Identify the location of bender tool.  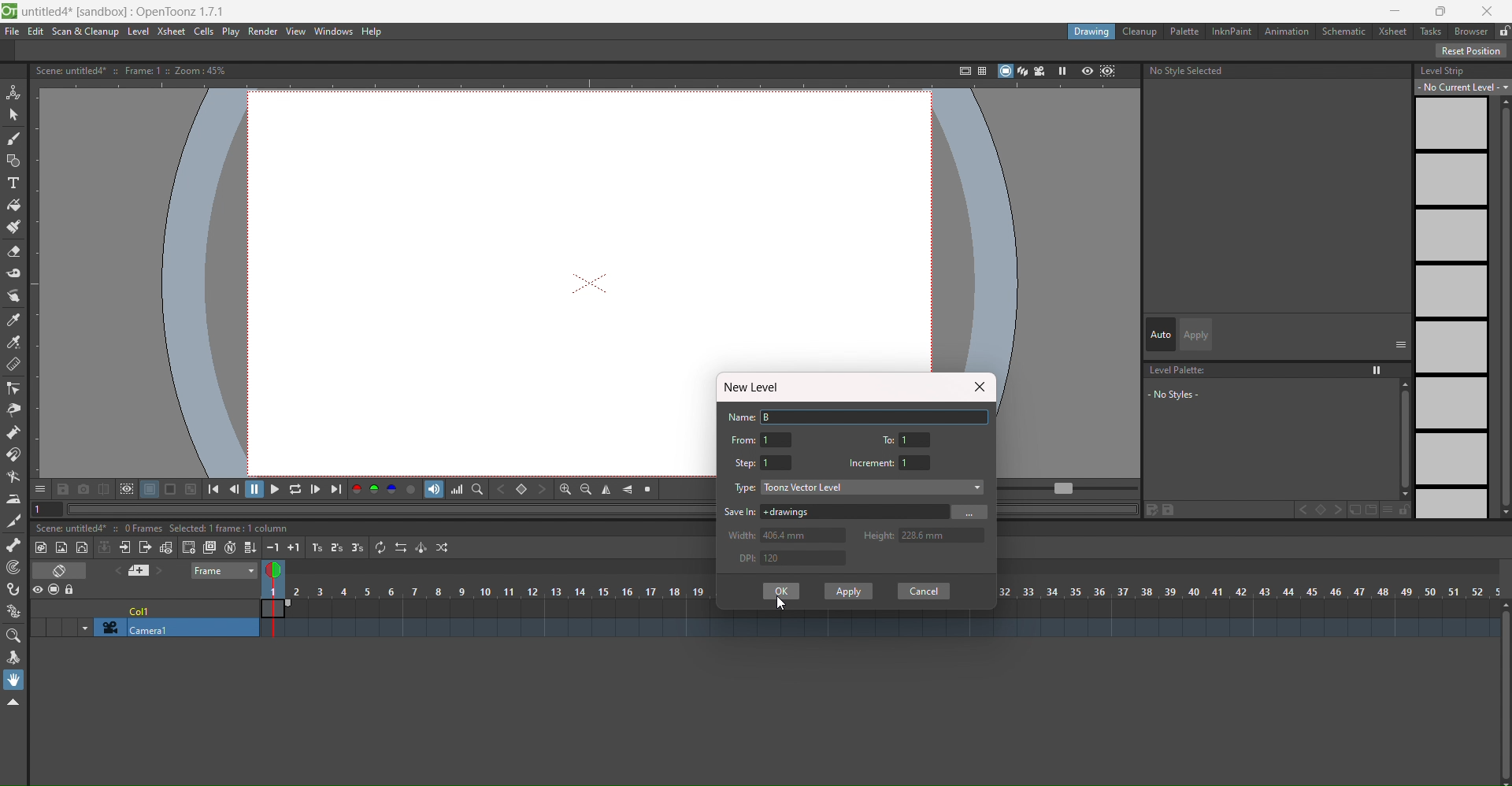
(14, 477).